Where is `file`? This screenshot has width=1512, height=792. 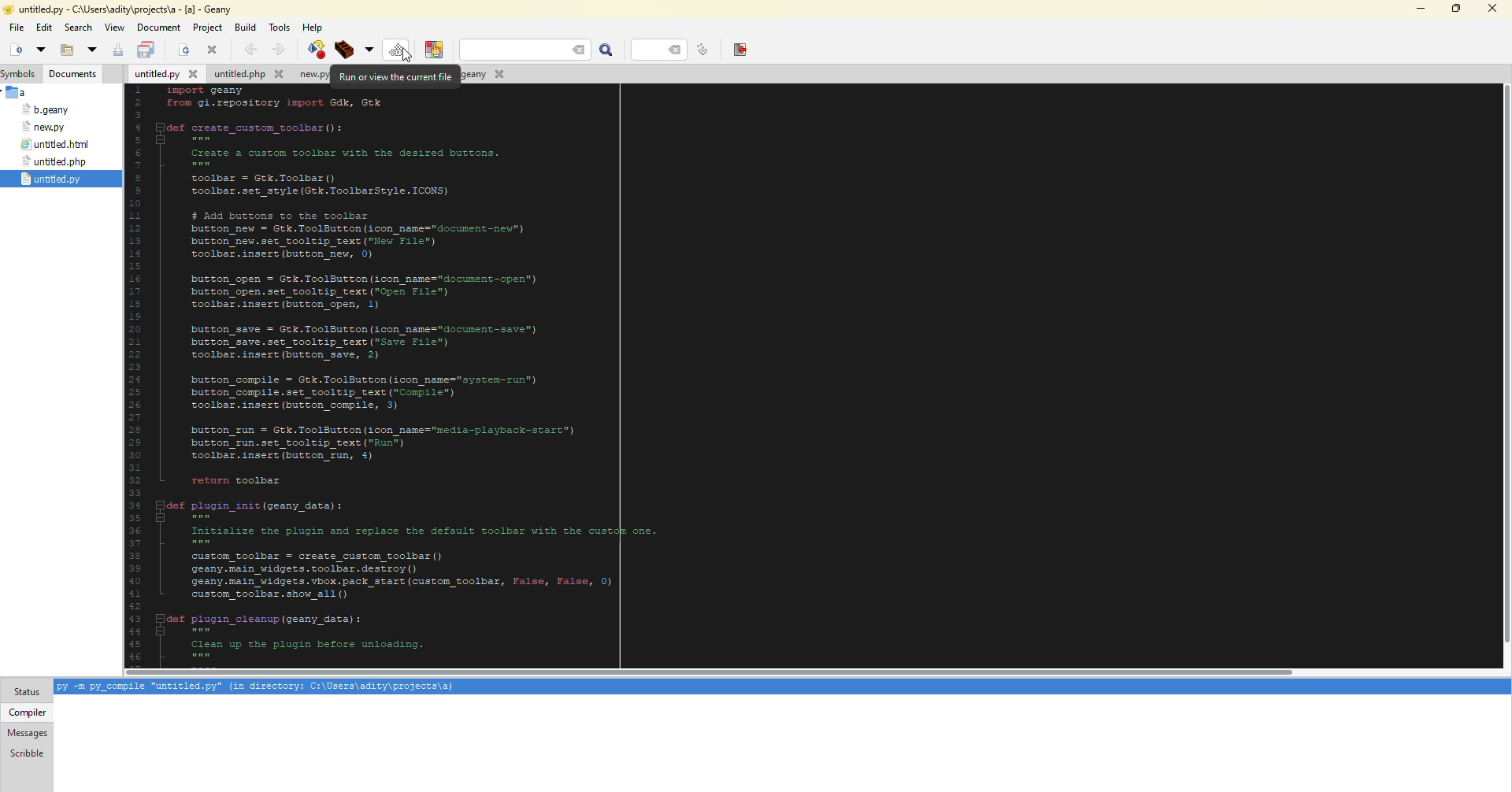
file is located at coordinates (46, 127).